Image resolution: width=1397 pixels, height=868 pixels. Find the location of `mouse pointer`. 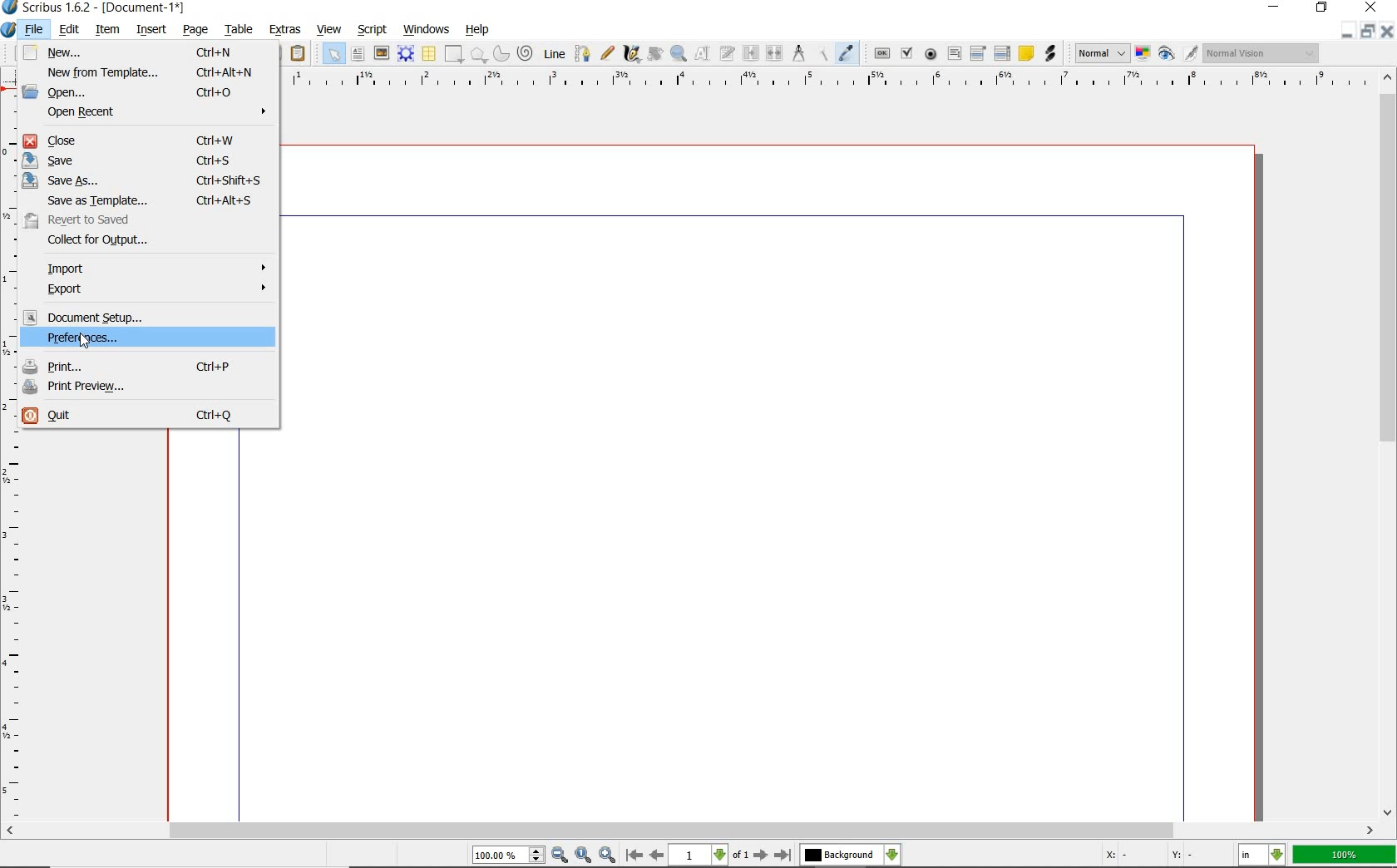

mouse pointer is located at coordinates (86, 340).